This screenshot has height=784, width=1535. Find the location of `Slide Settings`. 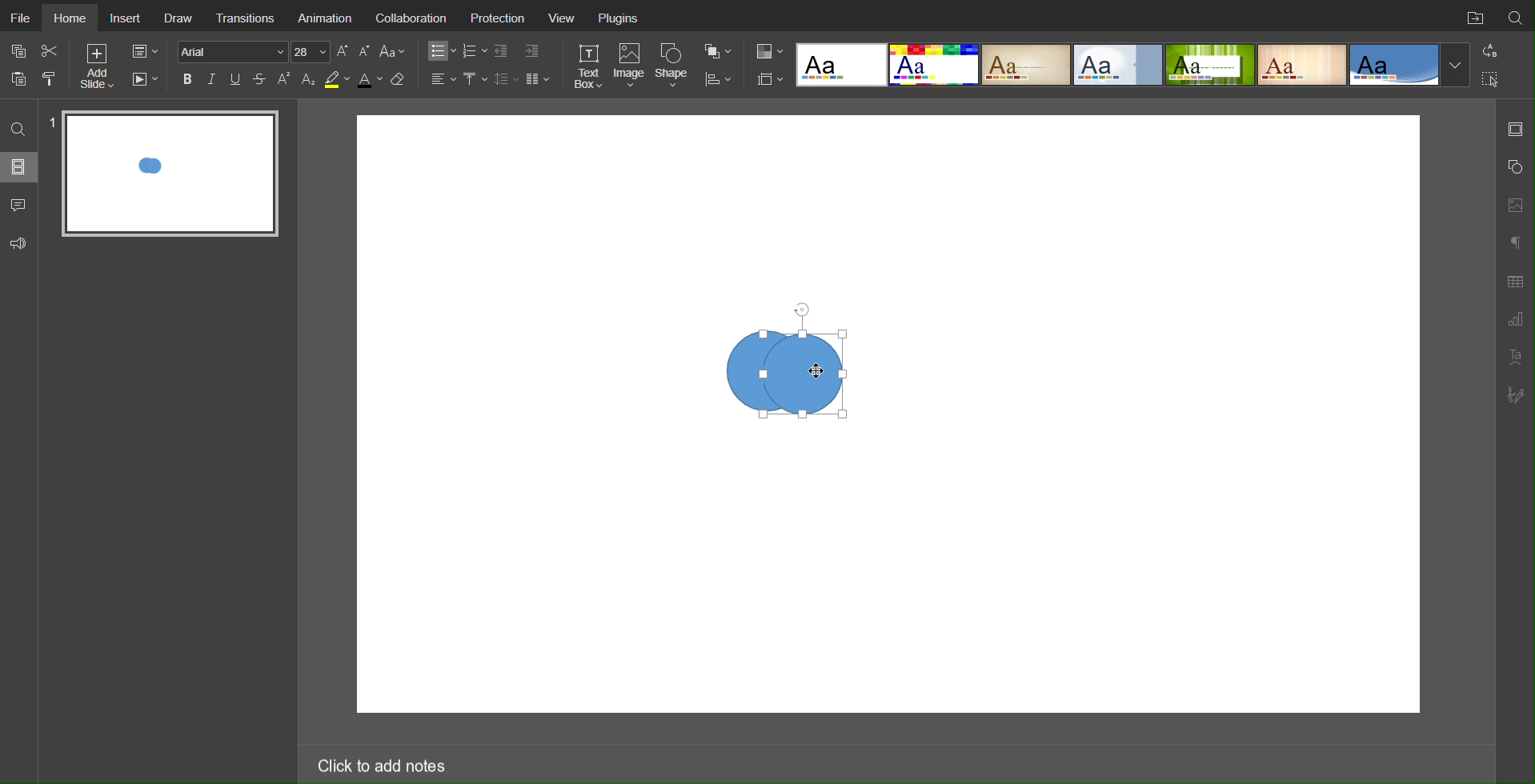

Slide Settings is located at coordinates (1515, 129).